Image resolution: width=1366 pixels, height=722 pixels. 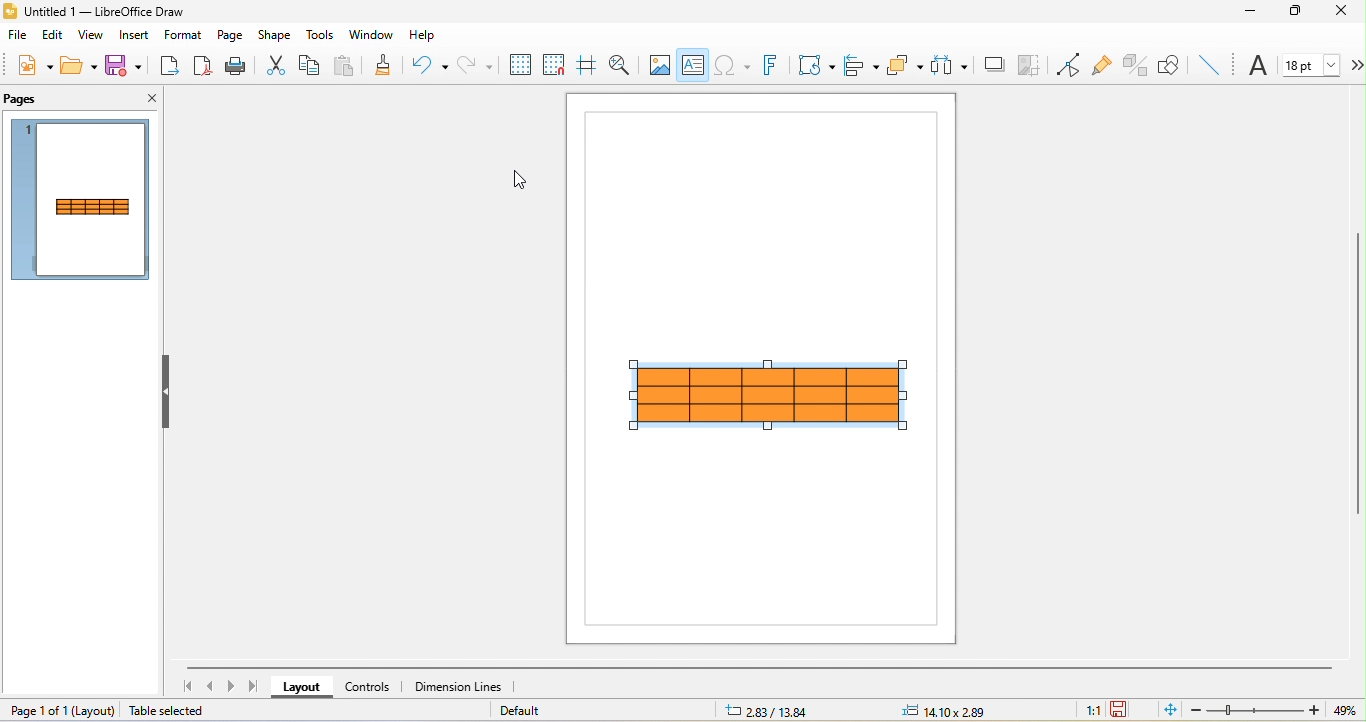 What do you see at coordinates (693, 65) in the screenshot?
I see `text box` at bounding box center [693, 65].